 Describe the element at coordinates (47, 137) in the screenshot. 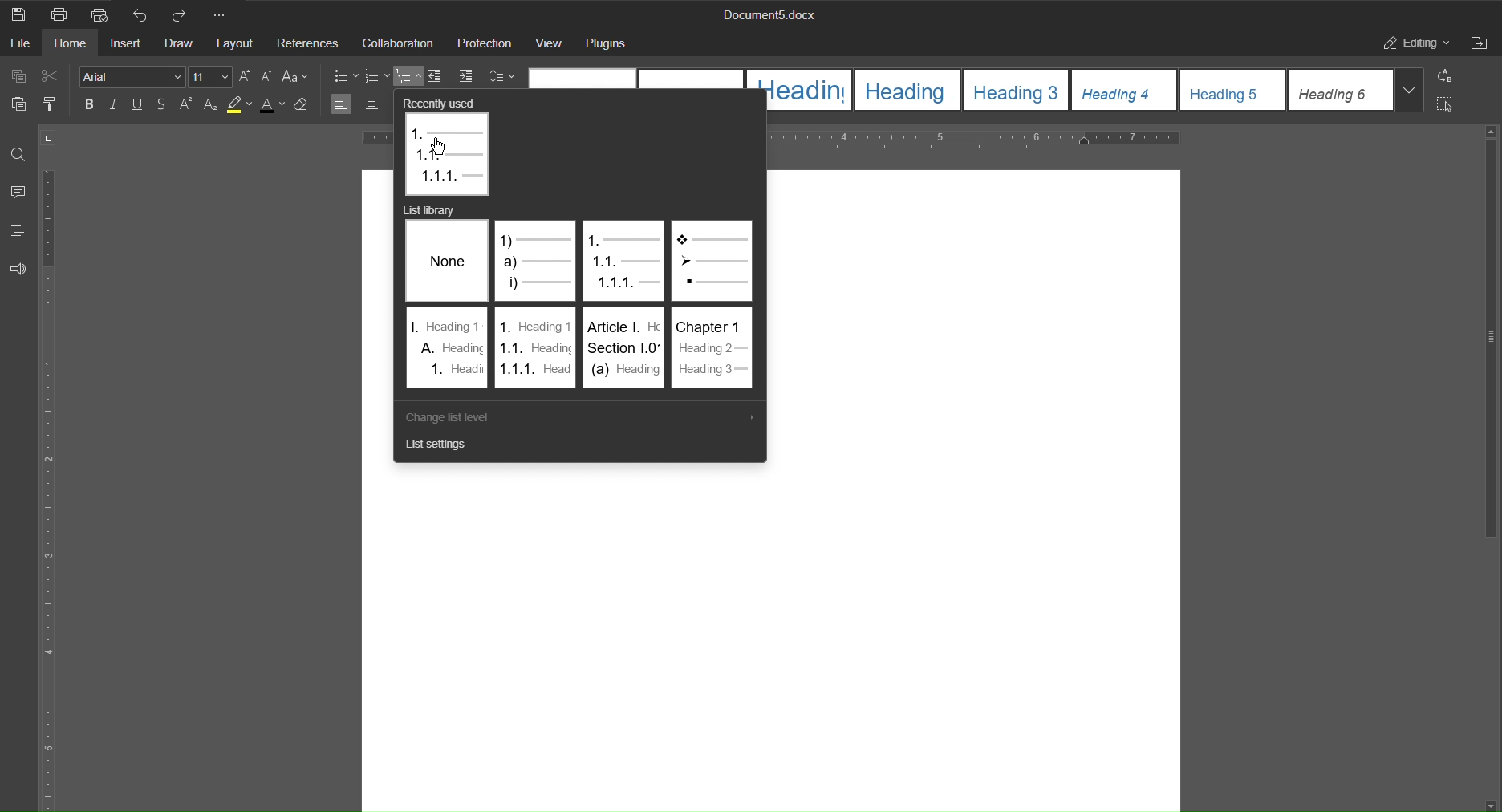

I see `page orientation` at that location.